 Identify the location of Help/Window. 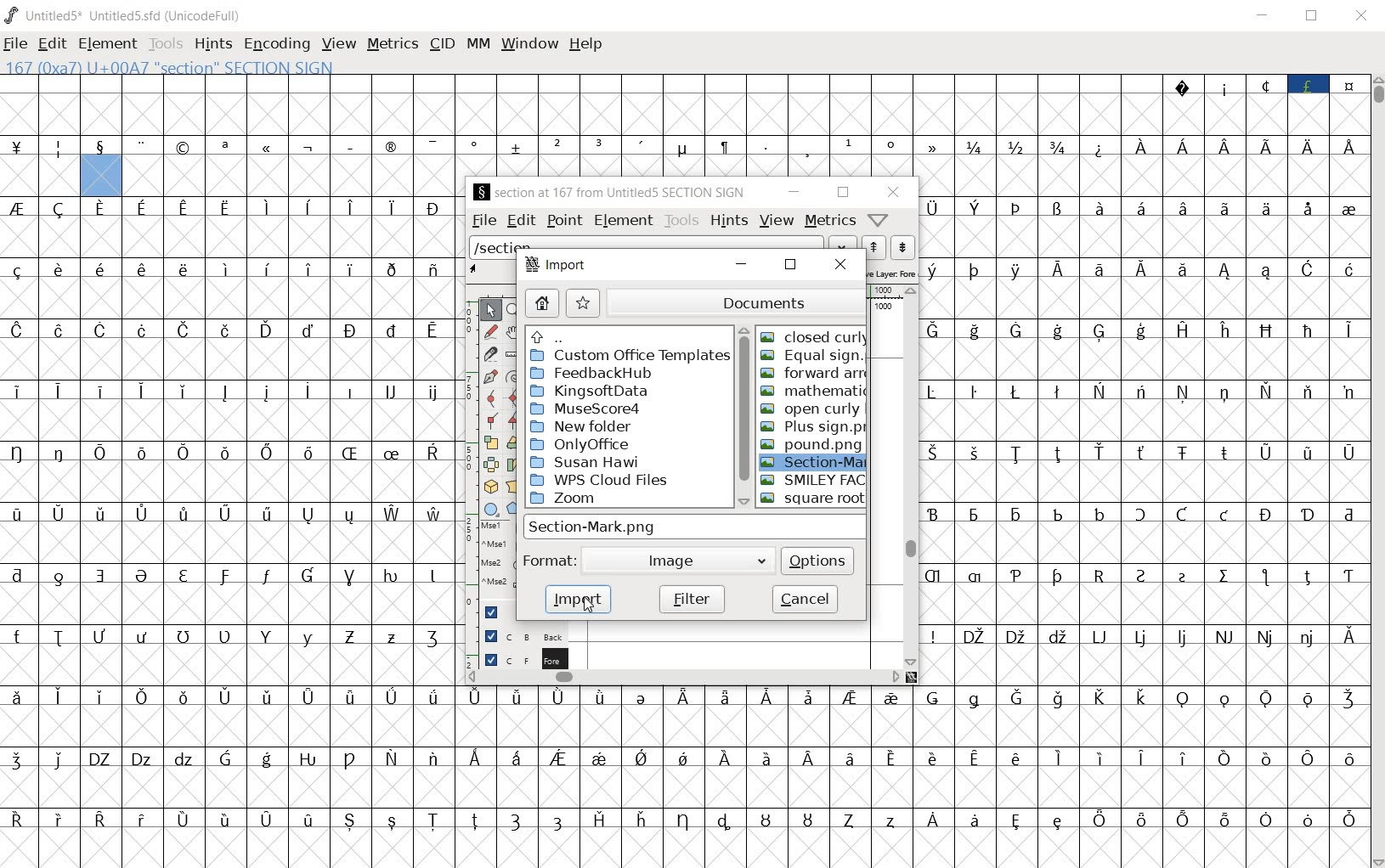
(879, 219).